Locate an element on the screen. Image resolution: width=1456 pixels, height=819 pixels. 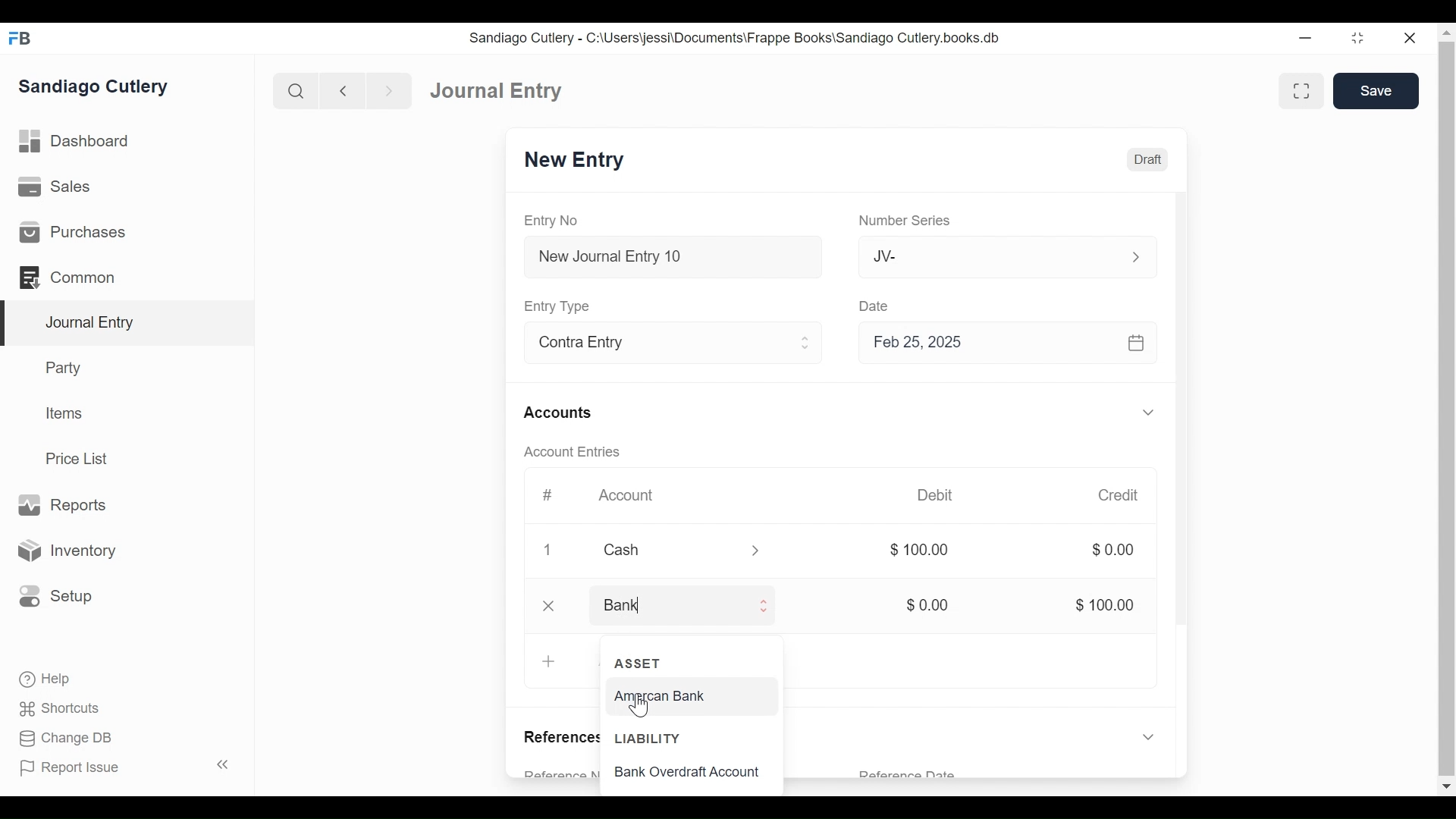
New Entry is located at coordinates (579, 162).